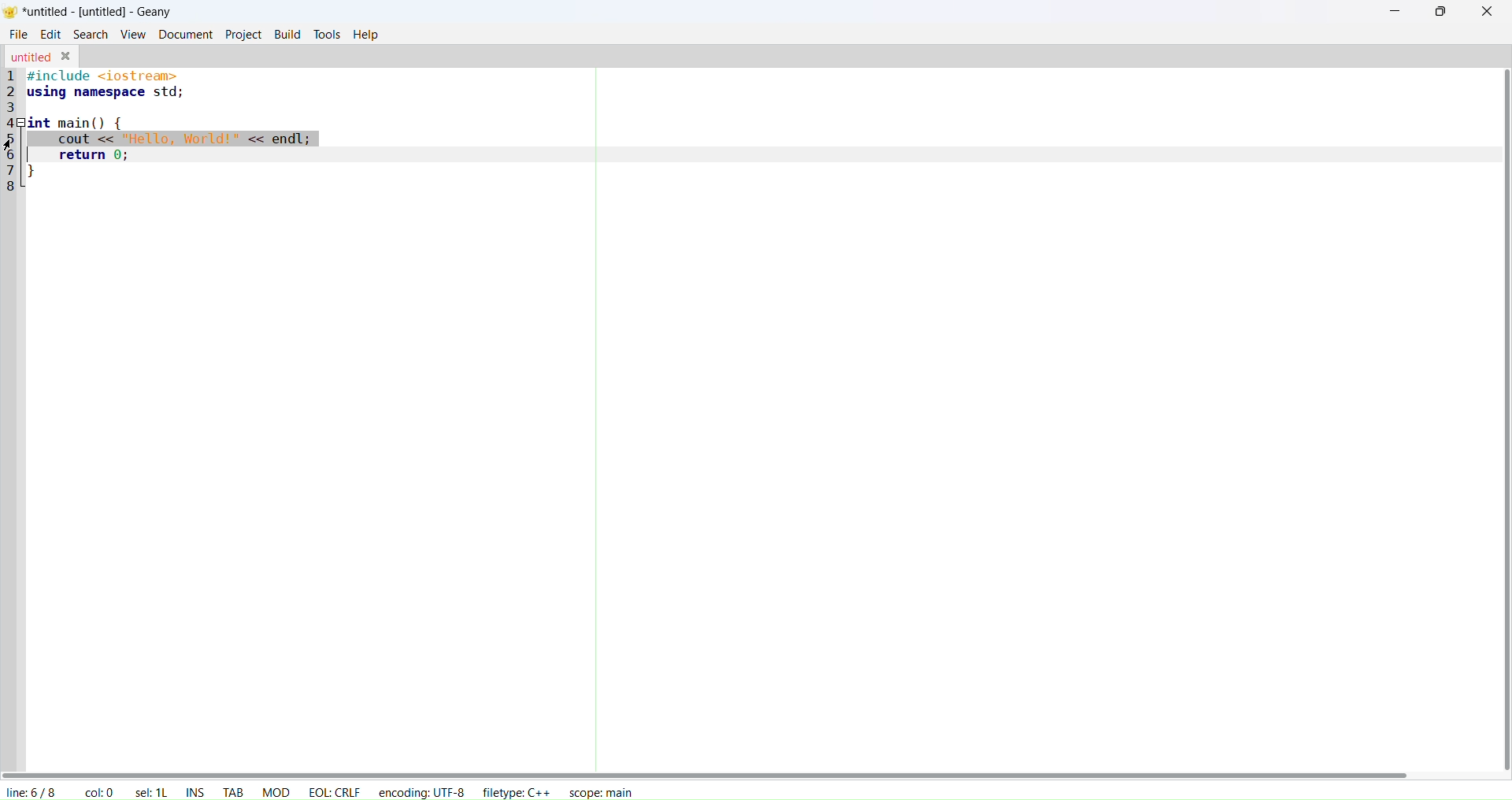  What do you see at coordinates (195, 791) in the screenshot?
I see `ins` at bounding box center [195, 791].